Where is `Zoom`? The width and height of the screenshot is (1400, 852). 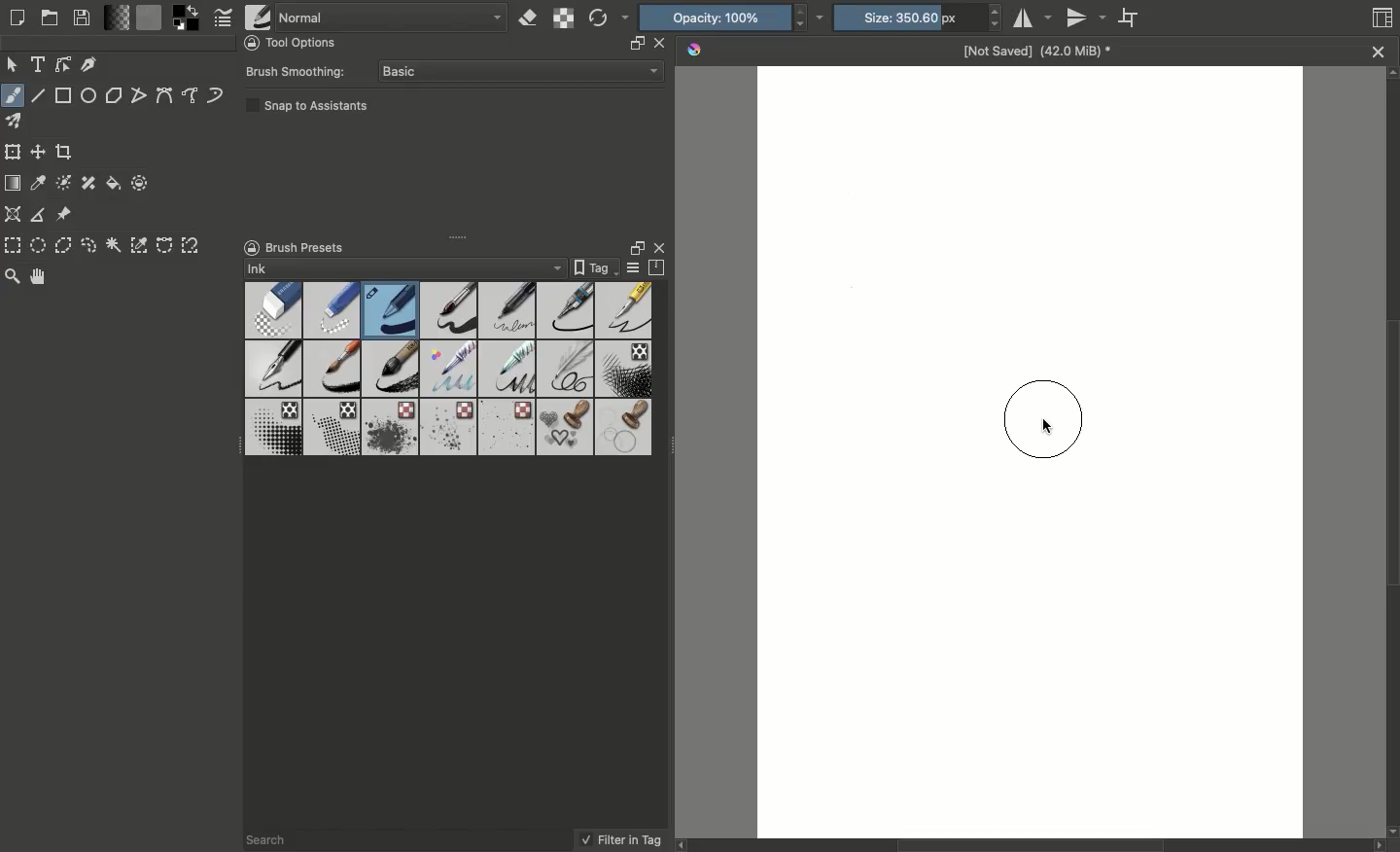
Zoom is located at coordinates (14, 277).